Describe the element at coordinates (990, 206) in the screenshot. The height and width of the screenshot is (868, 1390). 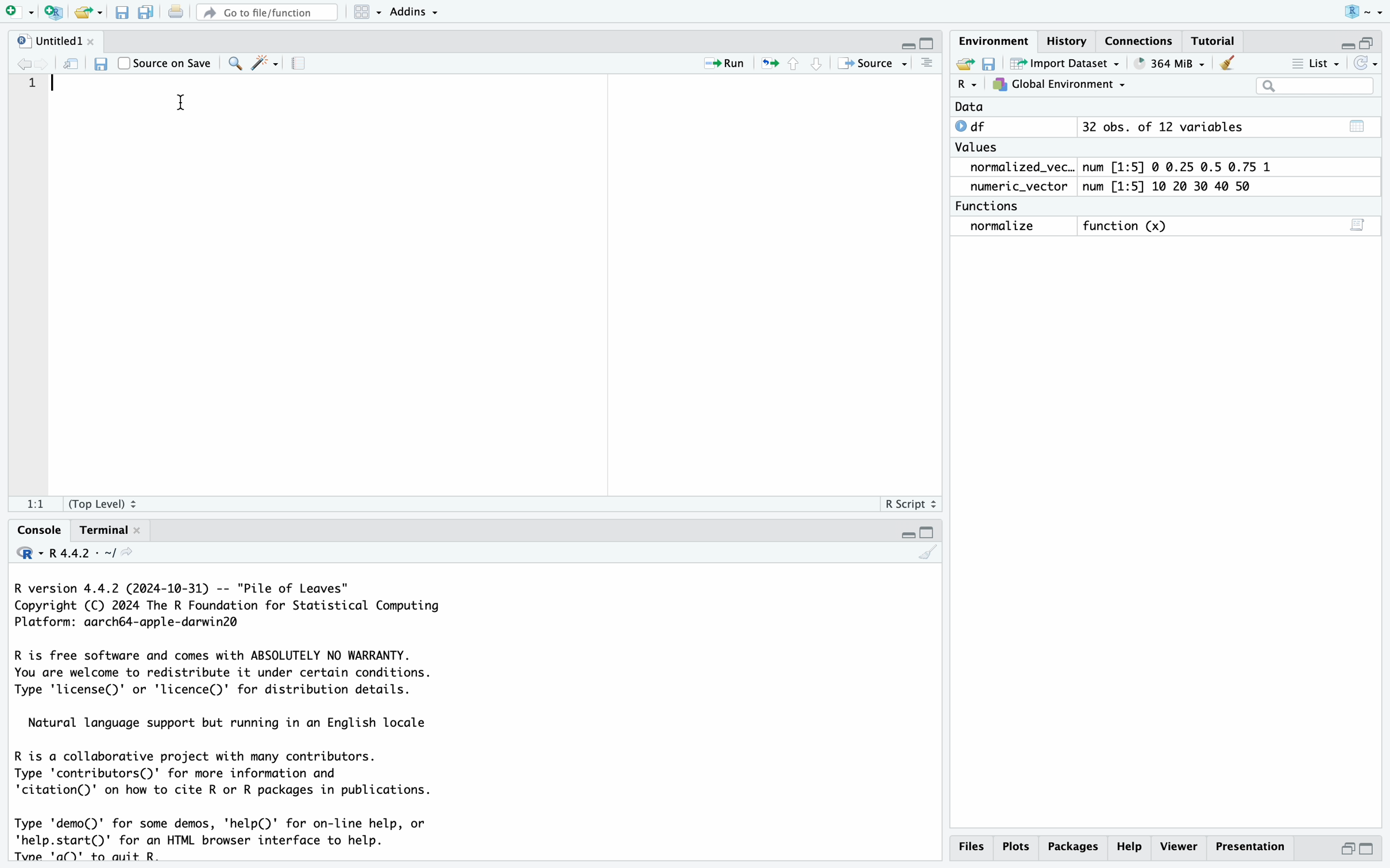
I see `Functions` at that location.